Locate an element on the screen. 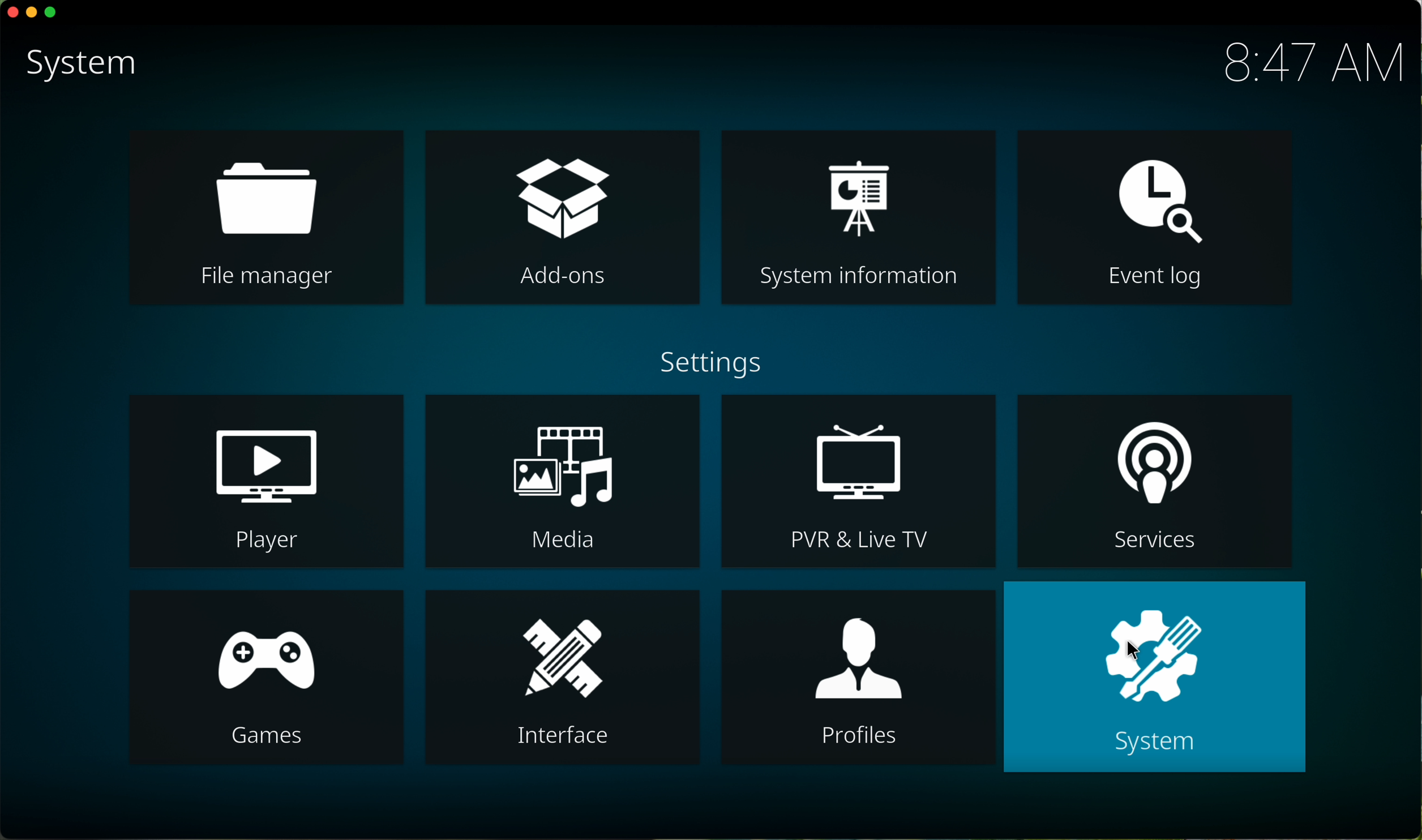 The image size is (1422, 840). system is located at coordinates (79, 66).